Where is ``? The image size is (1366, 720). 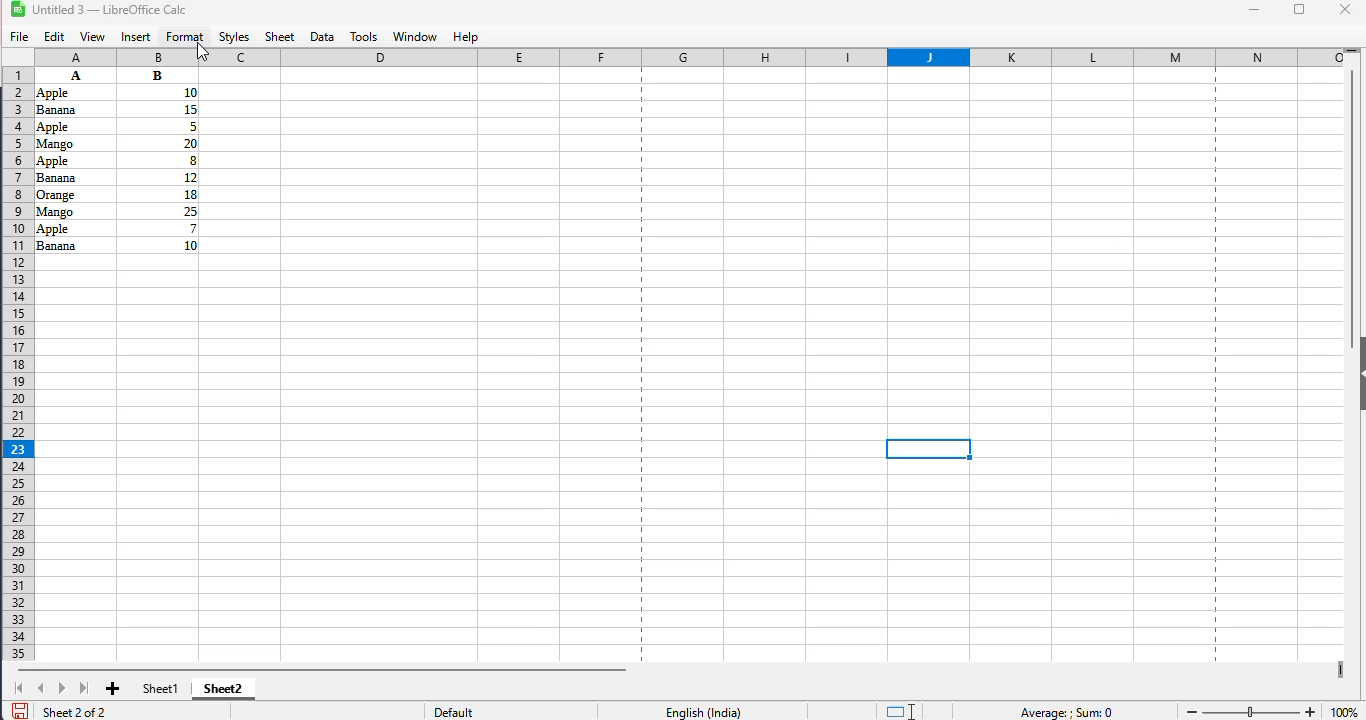
 is located at coordinates (73, 178).